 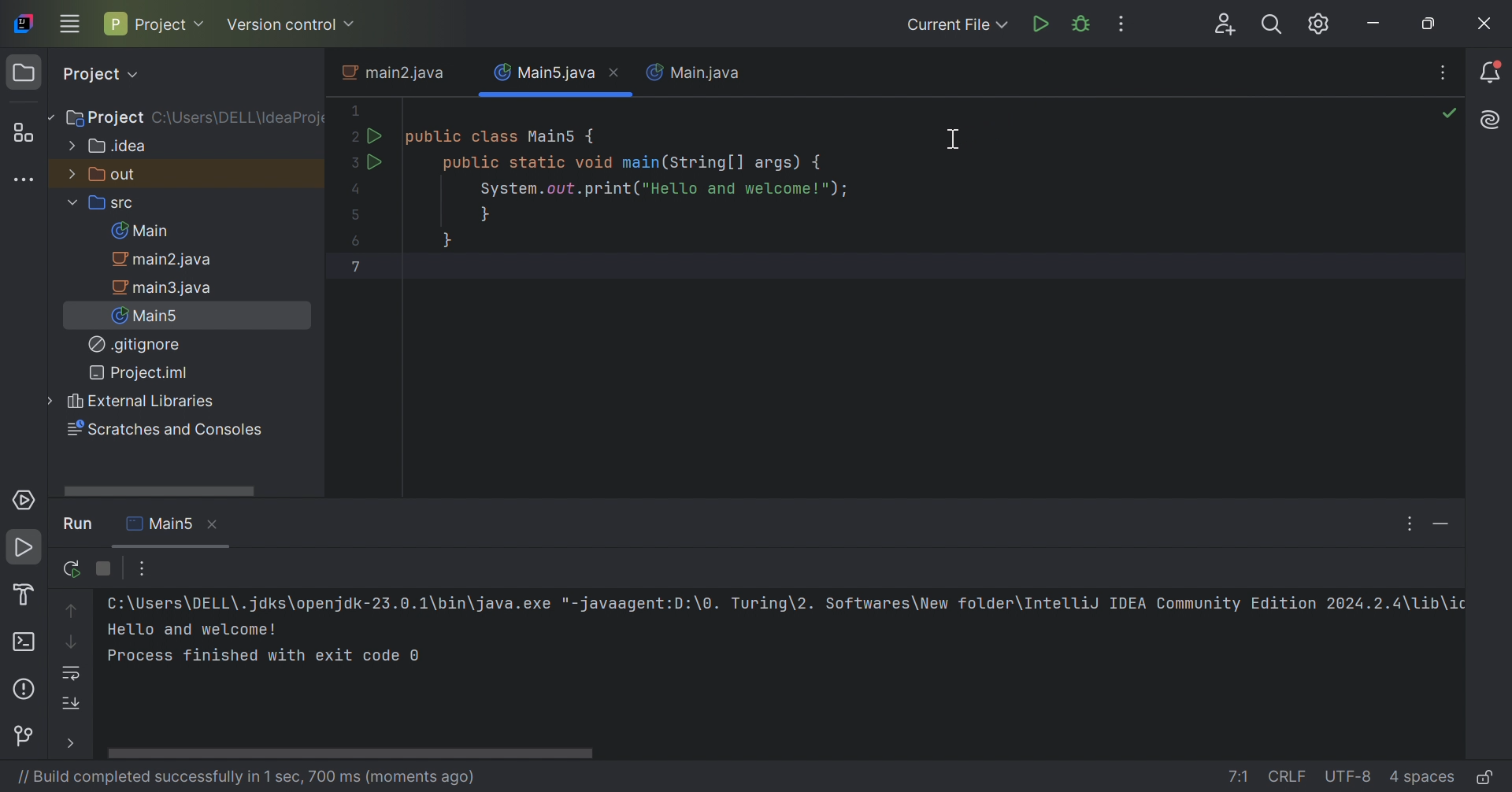 I want to click on Services, so click(x=24, y=498).